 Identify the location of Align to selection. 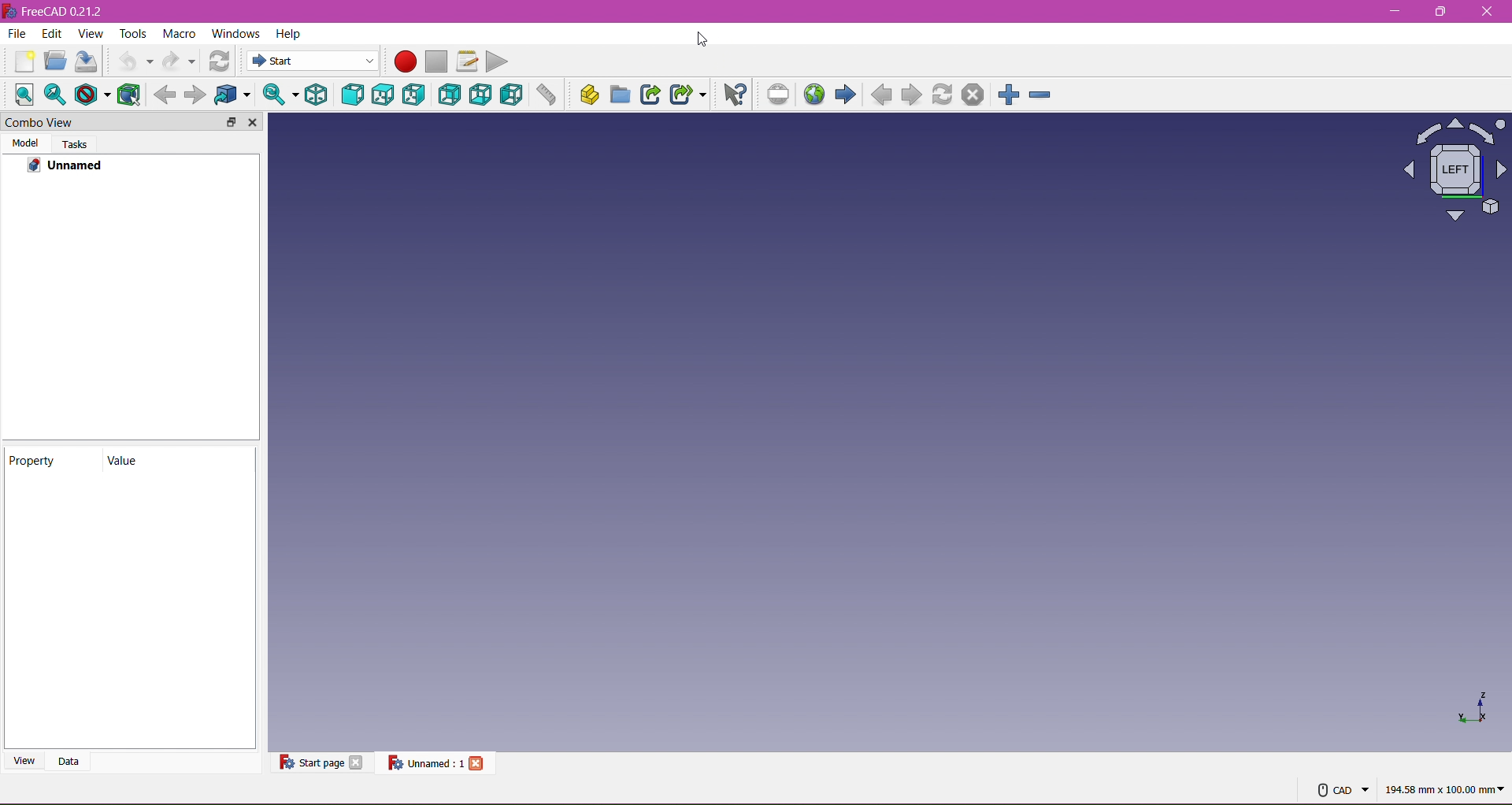
(24, 94).